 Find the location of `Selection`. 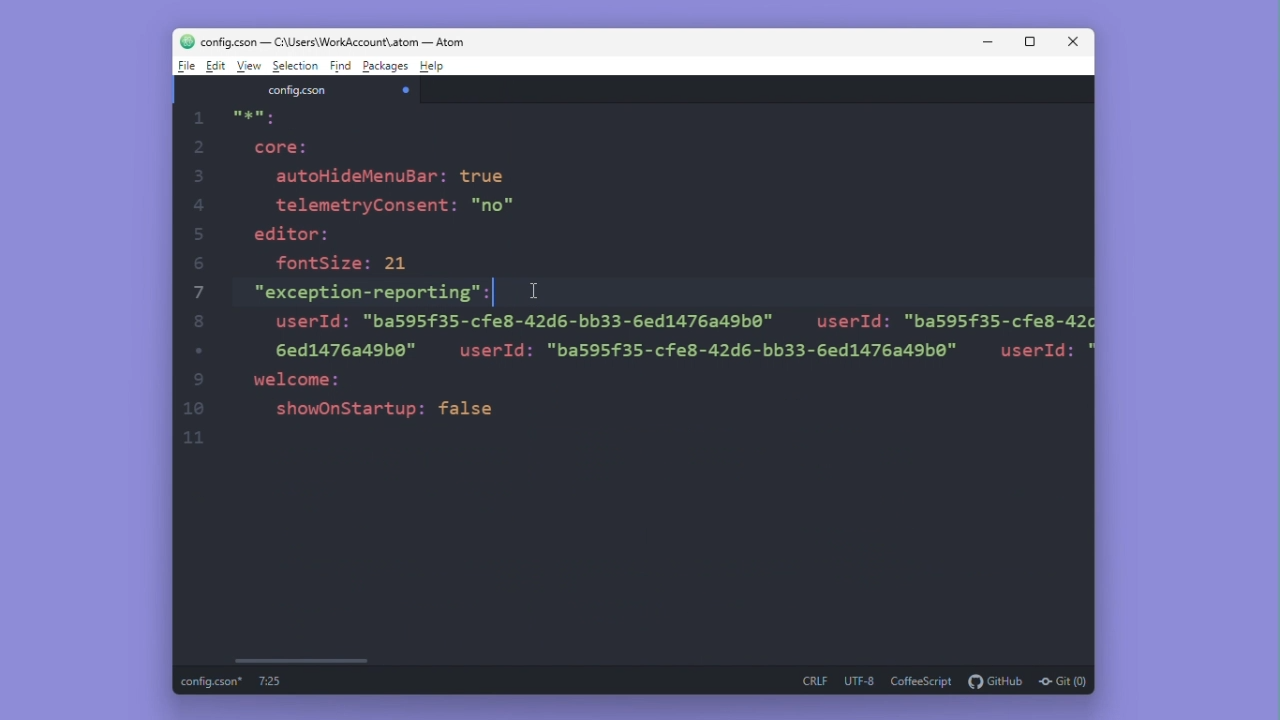

Selection is located at coordinates (297, 66).